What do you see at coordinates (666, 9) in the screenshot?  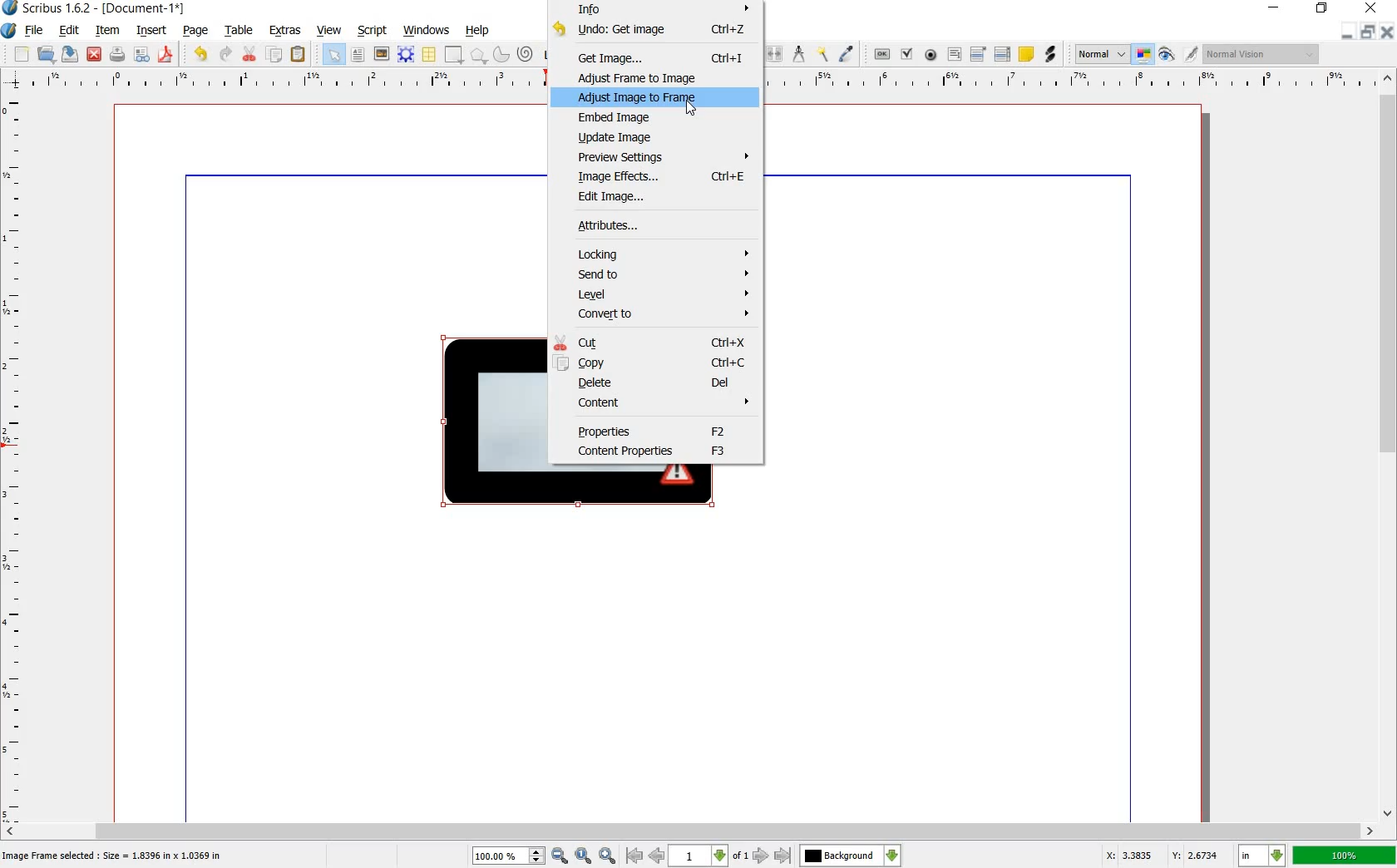 I see `info` at bounding box center [666, 9].